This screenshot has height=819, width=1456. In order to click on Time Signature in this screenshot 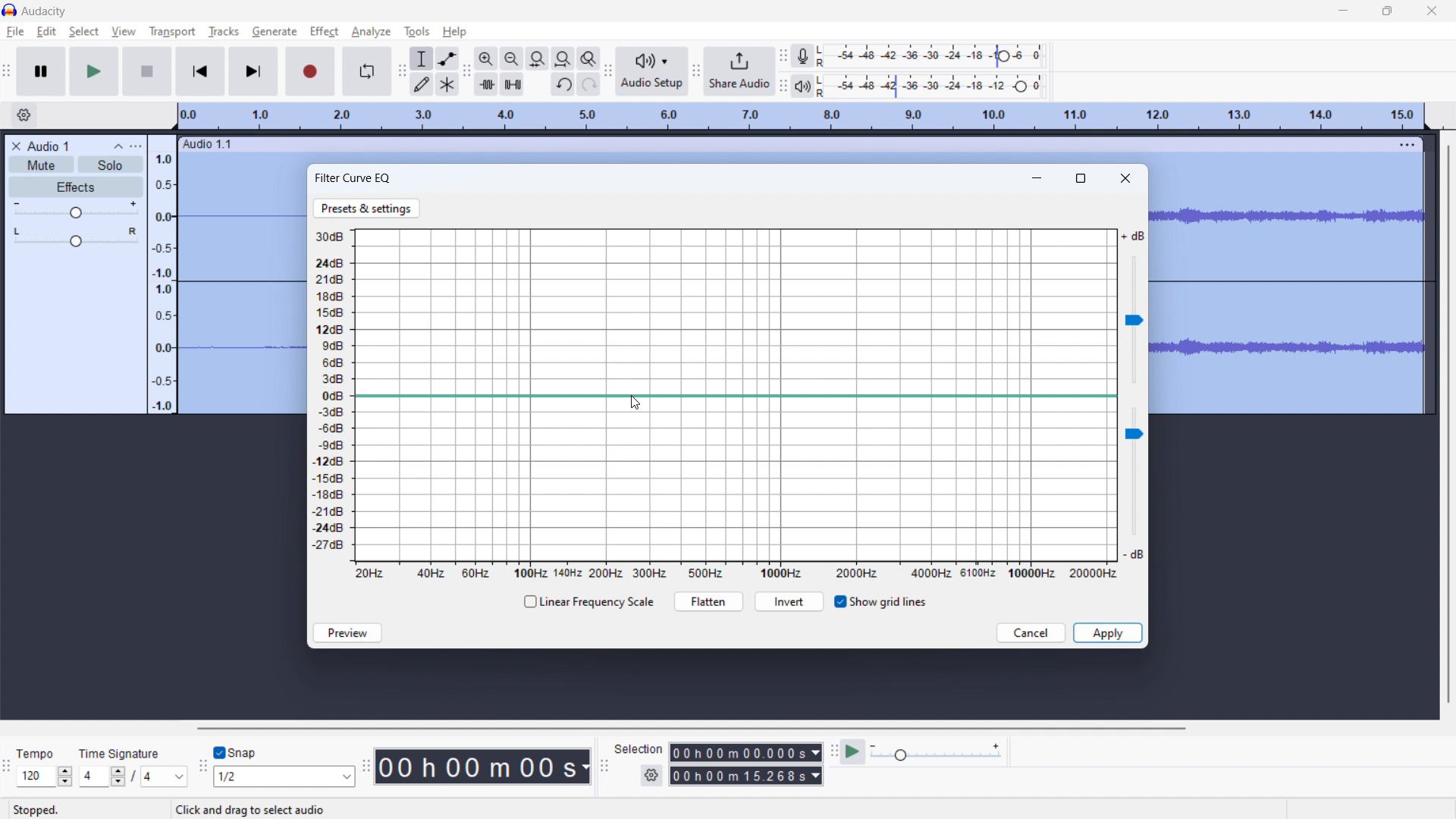, I will do `click(121, 750)`.